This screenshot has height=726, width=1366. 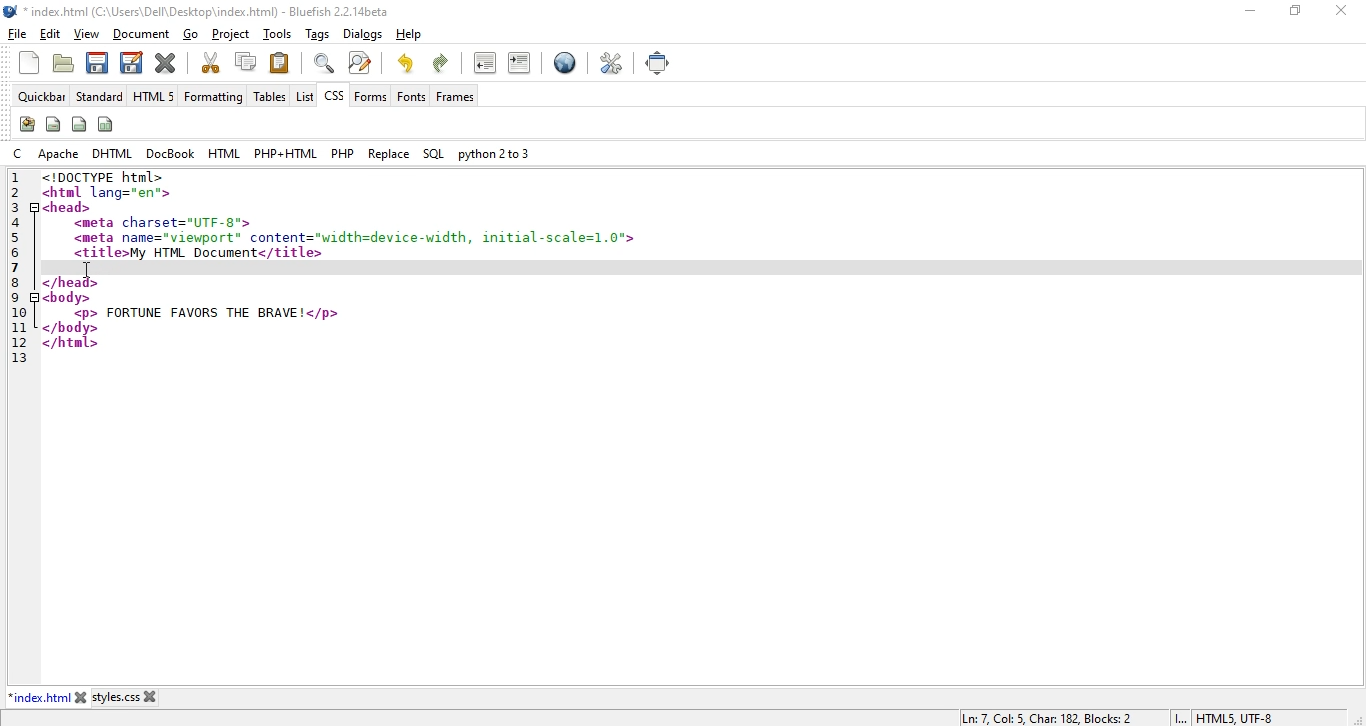 What do you see at coordinates (72, 343) in the screenshot?
I see `</html>` at bounding box center [72, 343].